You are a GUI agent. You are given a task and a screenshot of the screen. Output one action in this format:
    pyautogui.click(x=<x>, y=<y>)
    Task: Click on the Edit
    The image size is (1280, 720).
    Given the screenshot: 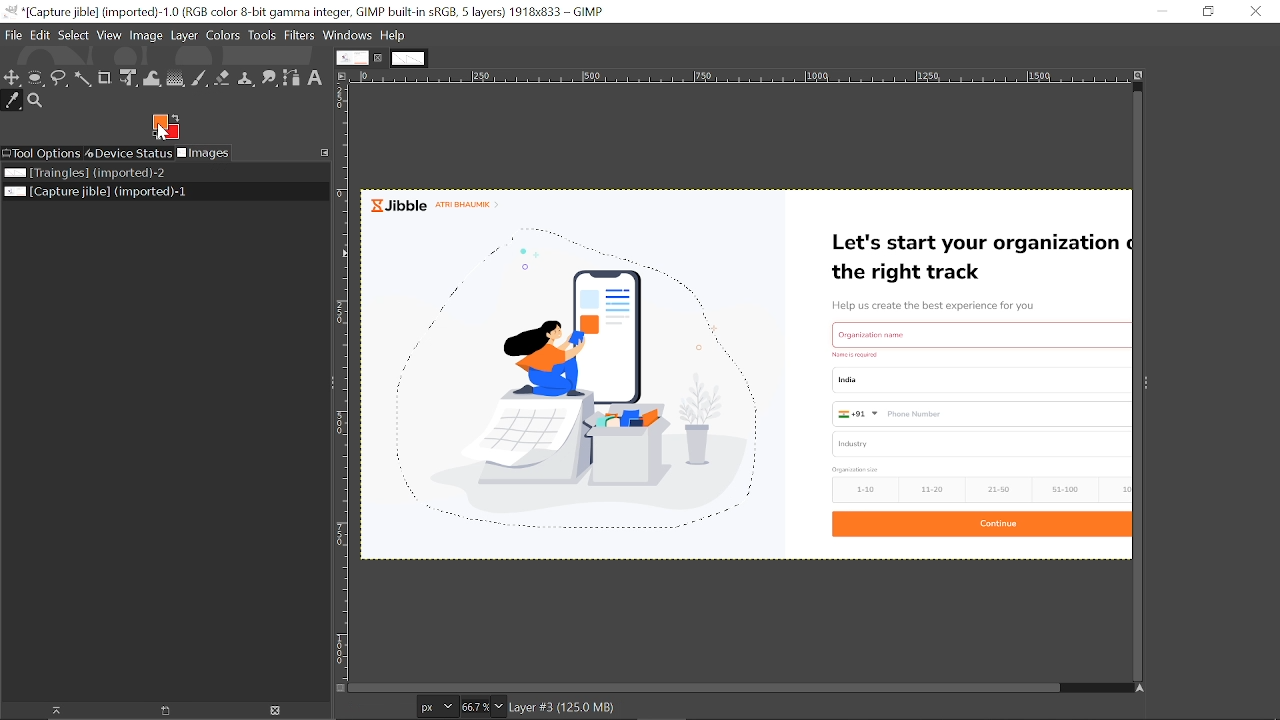 What is the action you would take?
    pyautogui.click(x=40, y=35)
    